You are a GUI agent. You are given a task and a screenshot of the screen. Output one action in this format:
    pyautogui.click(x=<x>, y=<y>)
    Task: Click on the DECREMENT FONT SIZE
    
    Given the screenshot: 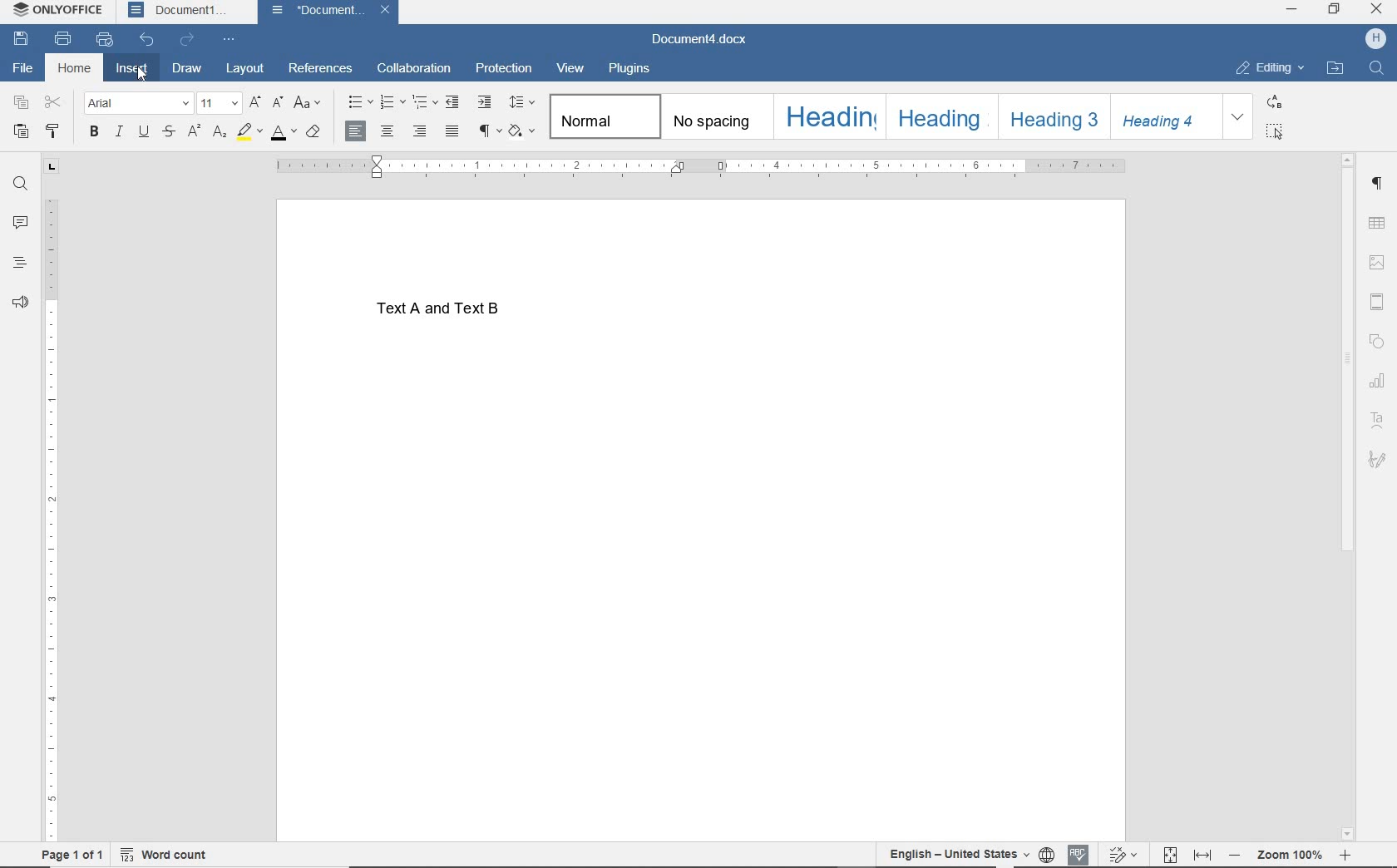 What is the action you would take?
    pyautogui.click(x=278, y=104)
    